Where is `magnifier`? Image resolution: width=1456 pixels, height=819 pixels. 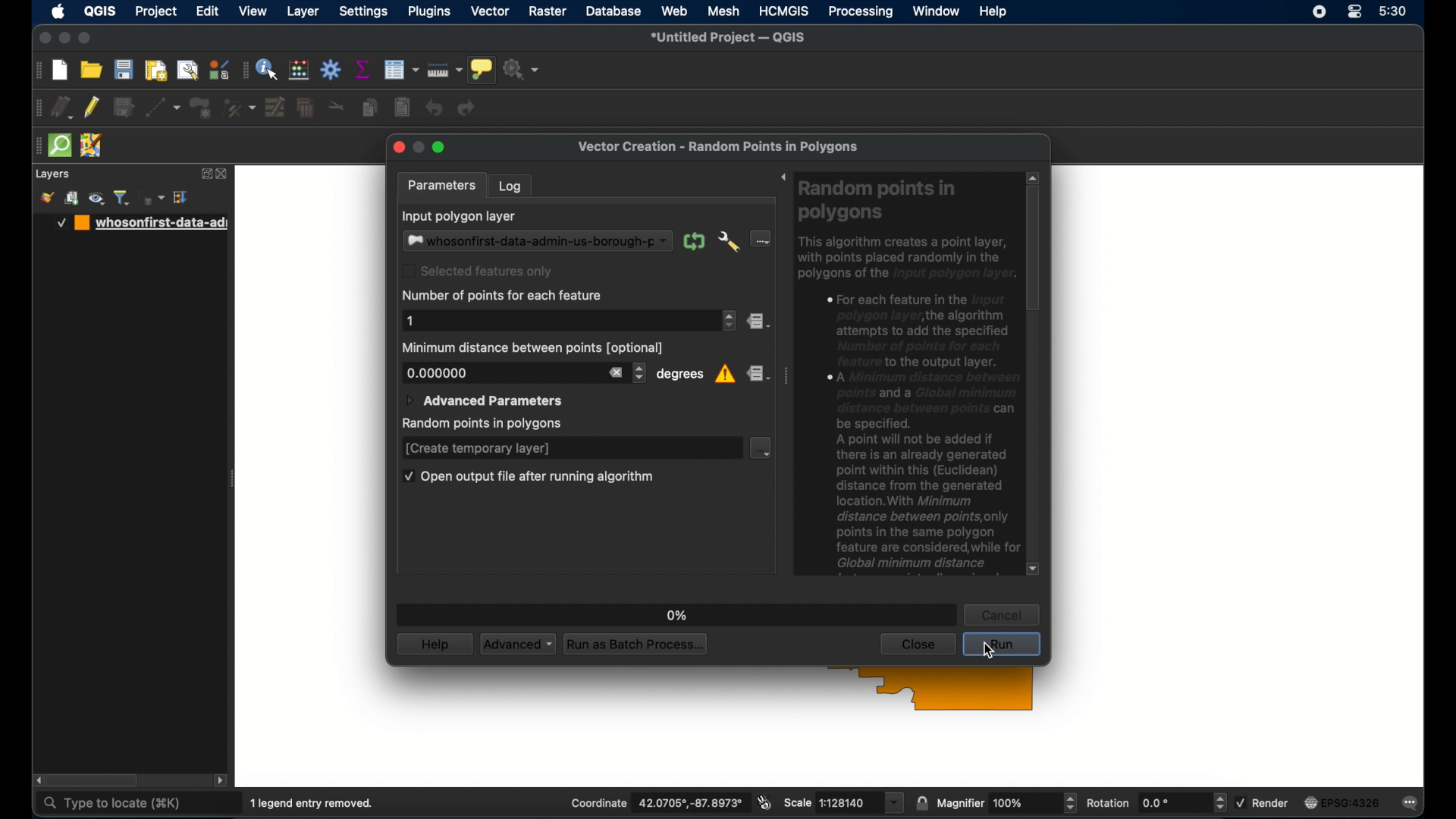
magnifier is located at coordinates (1006, 803).